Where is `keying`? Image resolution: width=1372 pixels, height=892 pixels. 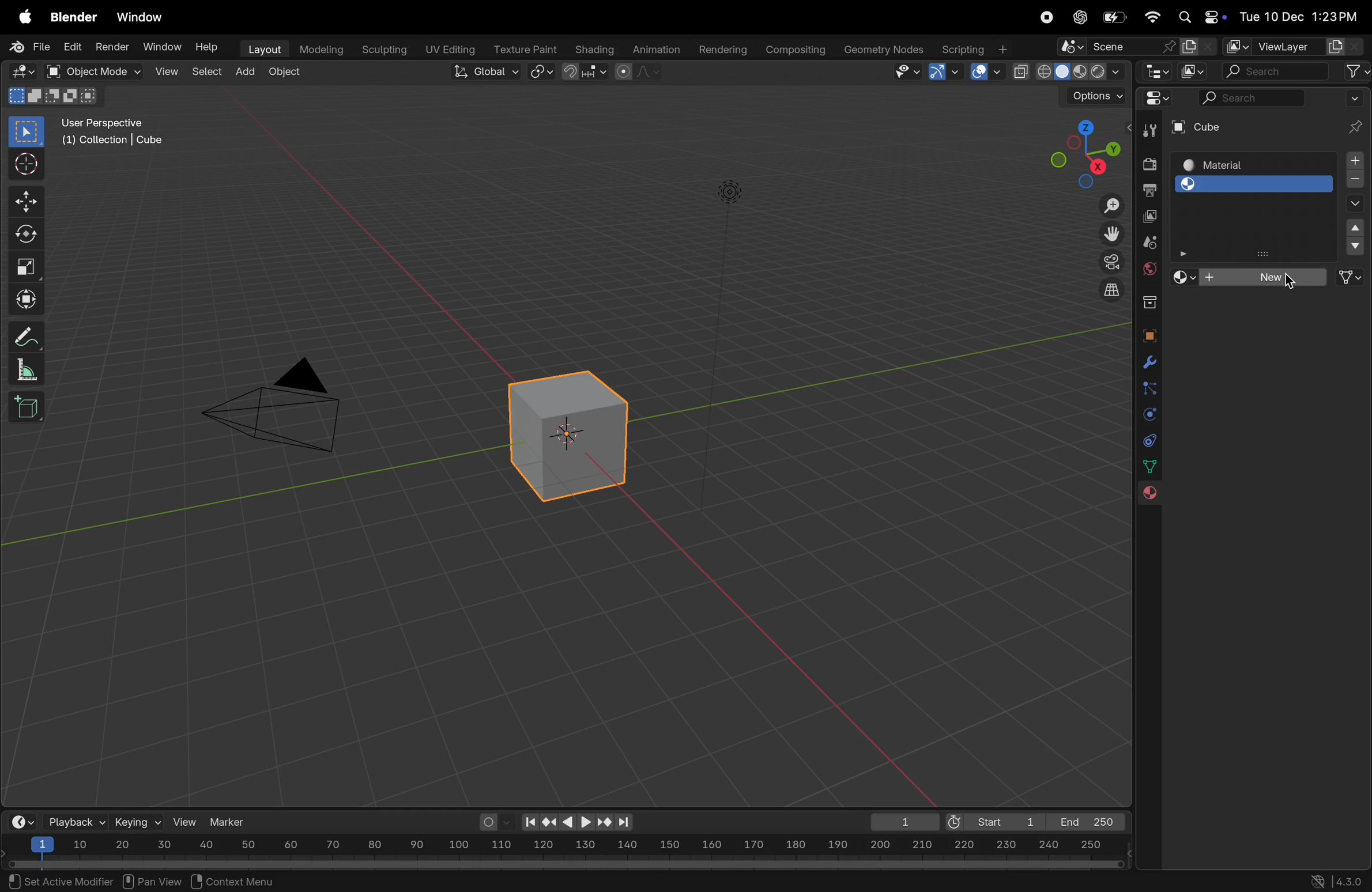
keying is located at coordinates (137, 821).